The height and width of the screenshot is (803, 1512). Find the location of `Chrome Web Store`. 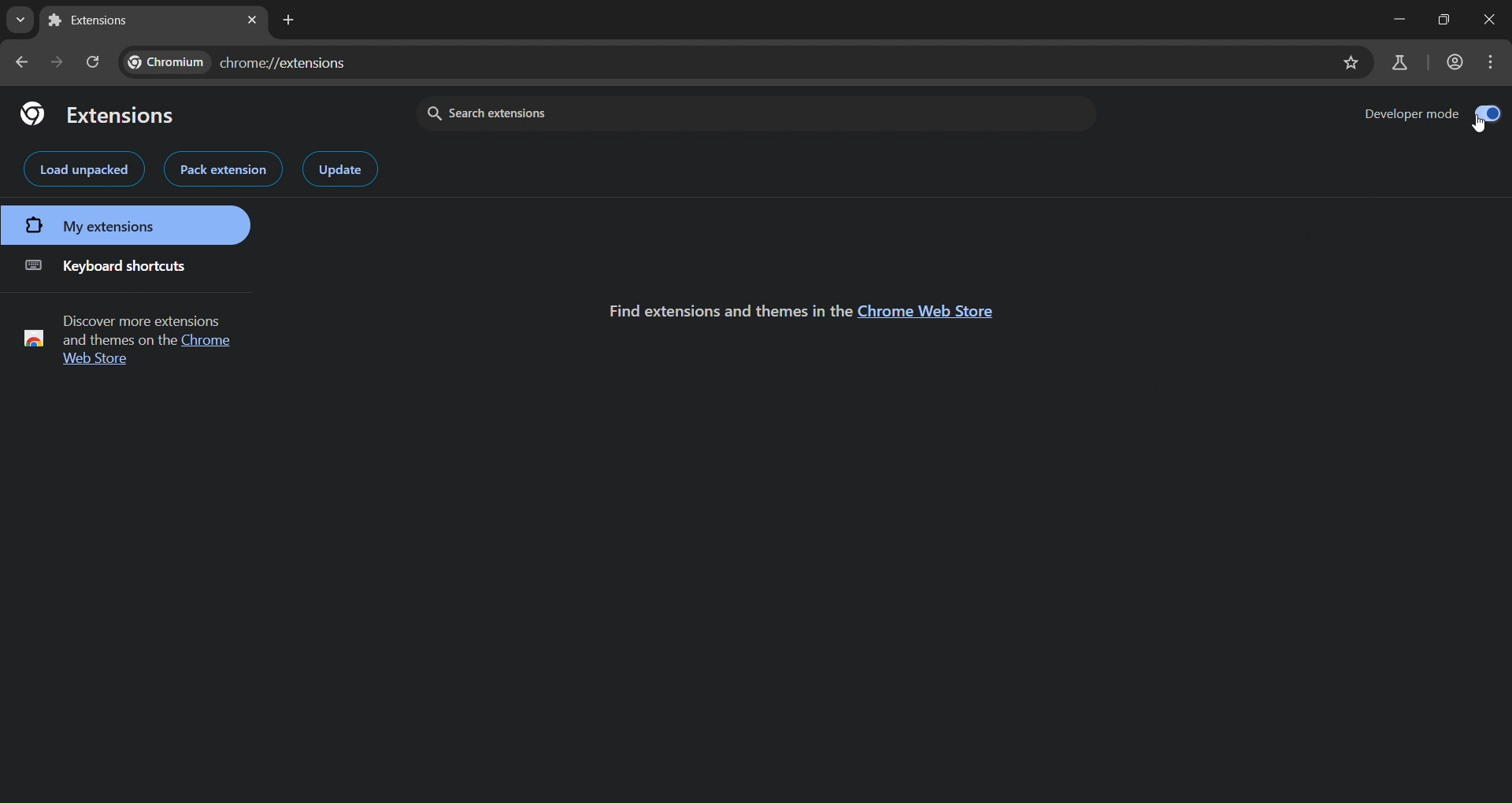

Chrome Web Store is located at coordinates (932, 311).